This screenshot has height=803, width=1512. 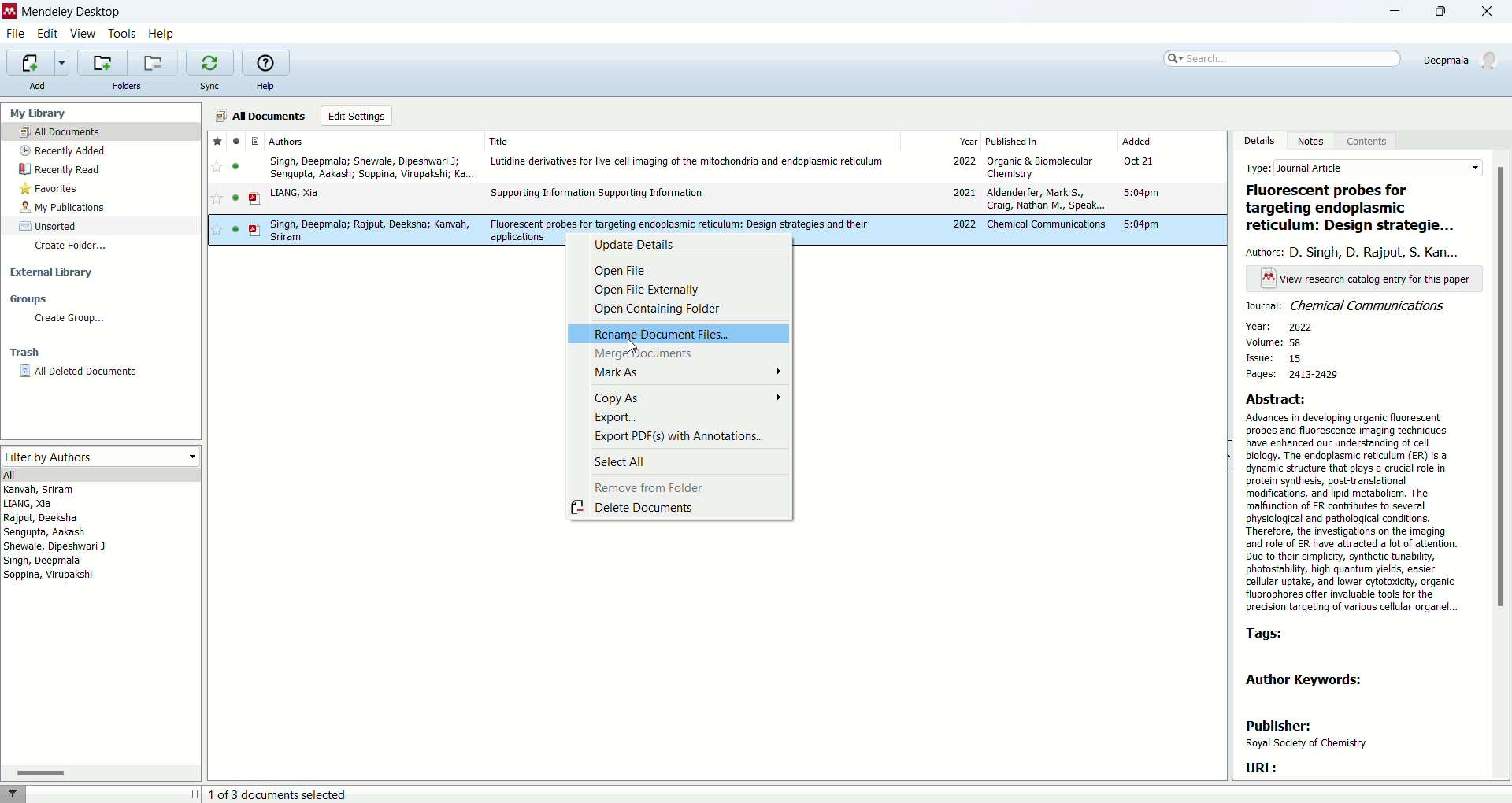 What do you see at coordinates (48, 272) in the screenshot?
I see `external library` at bounding box center [48, 272].